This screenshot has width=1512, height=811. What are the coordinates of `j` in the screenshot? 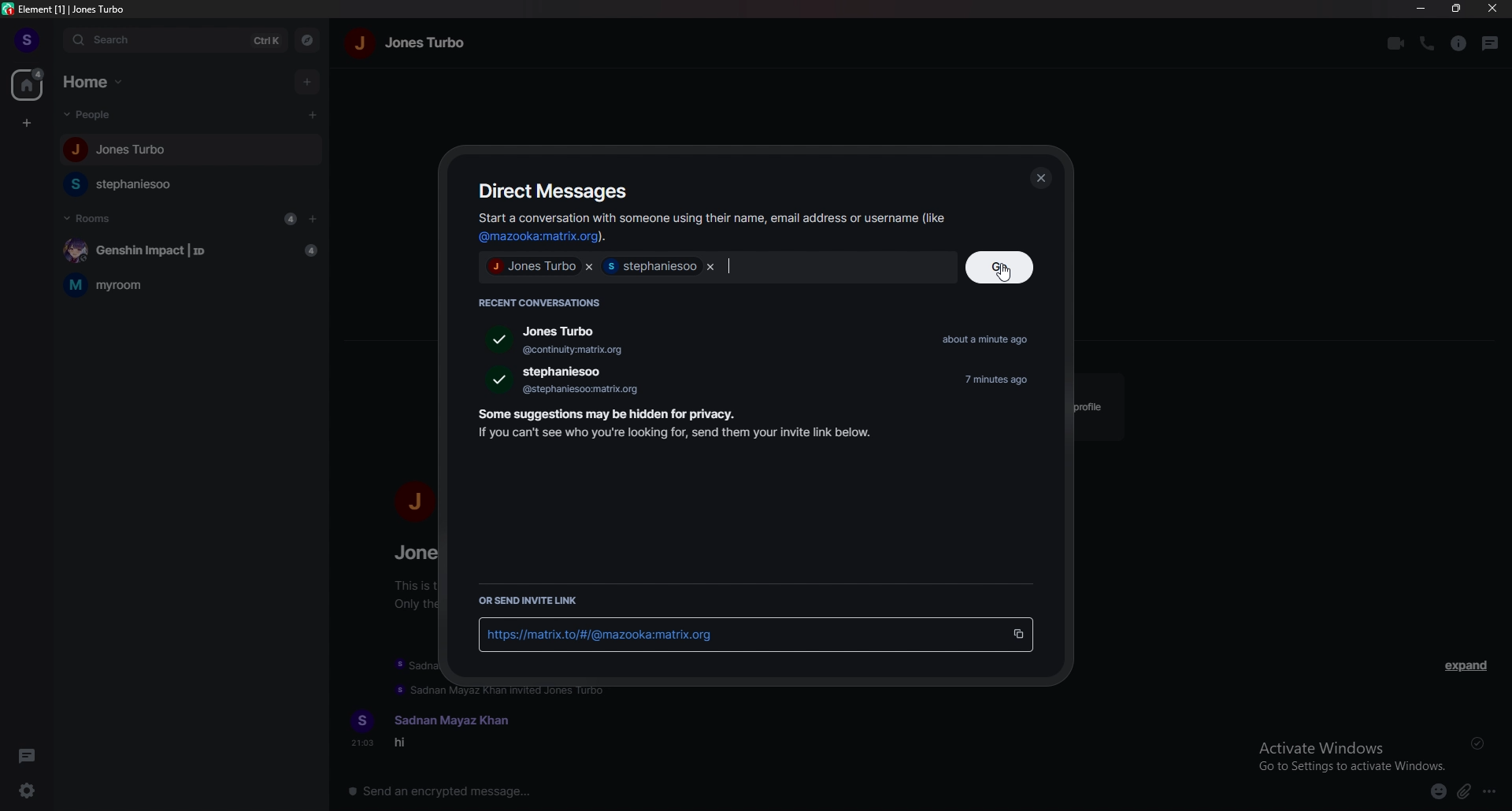 It's located at (362, 47).